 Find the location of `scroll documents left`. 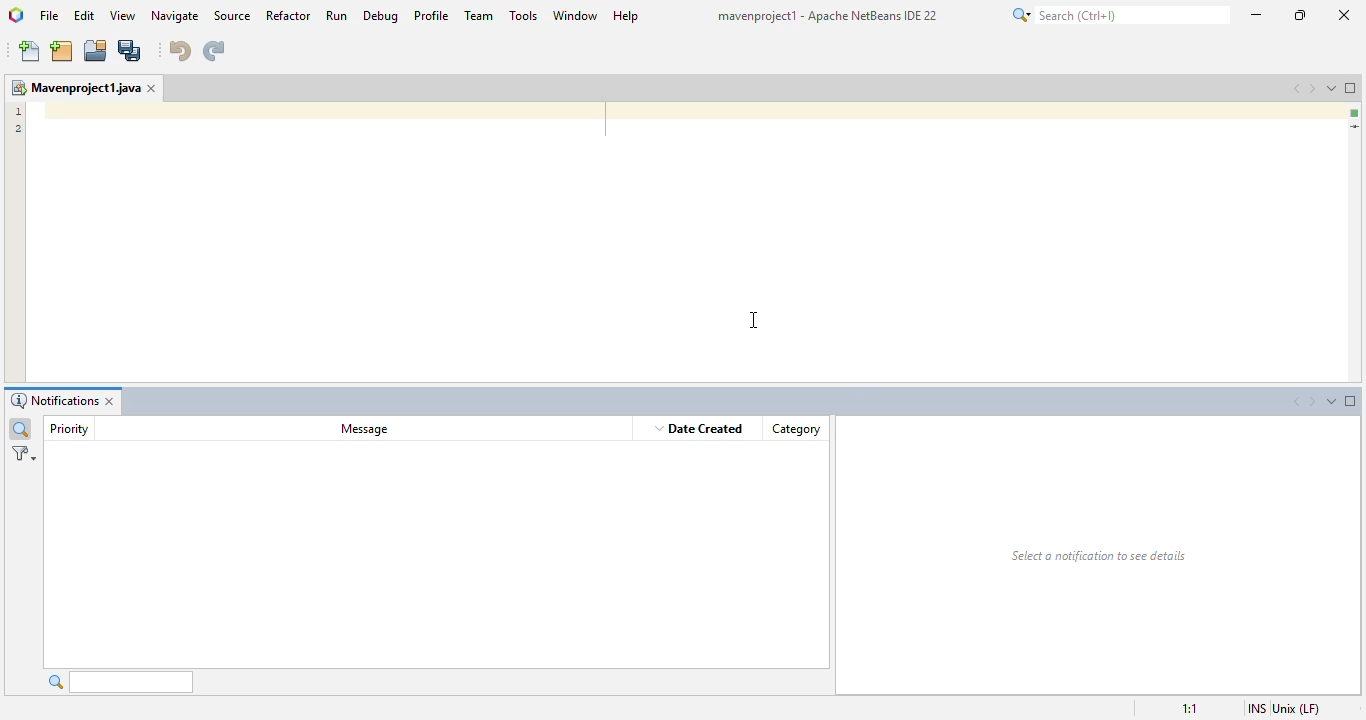

scroll documents left is located at coordinates (1297, 88).